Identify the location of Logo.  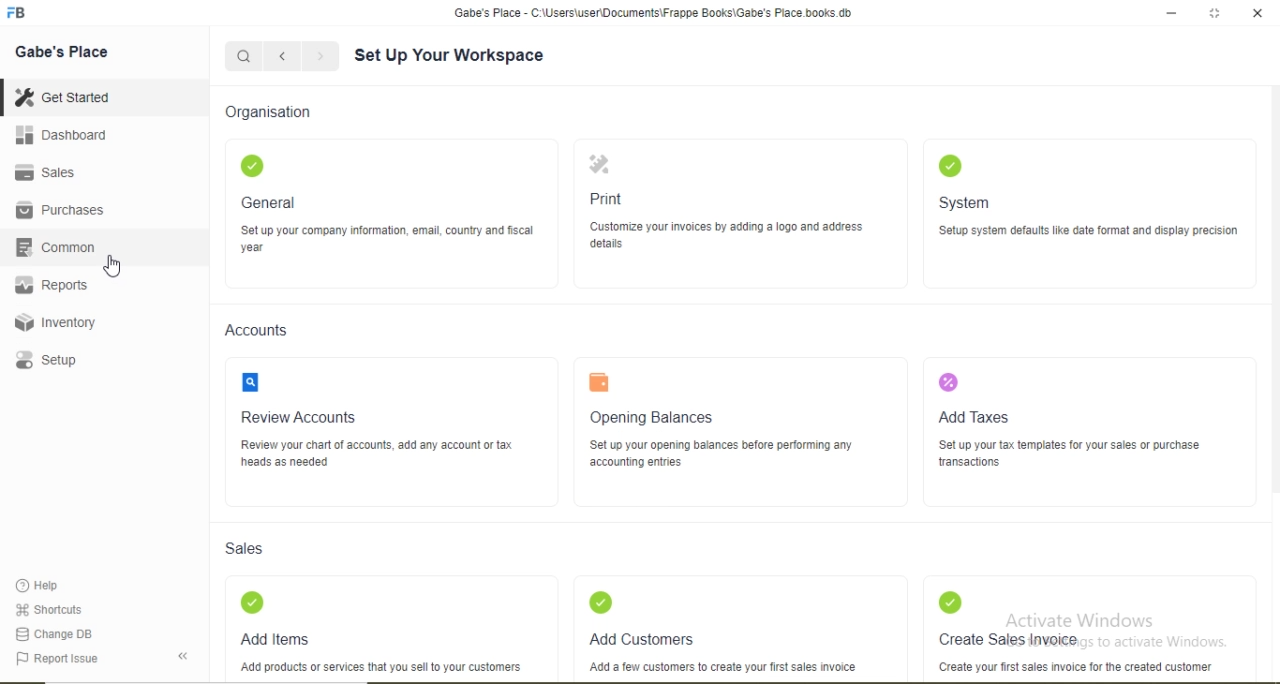
(599, 381).